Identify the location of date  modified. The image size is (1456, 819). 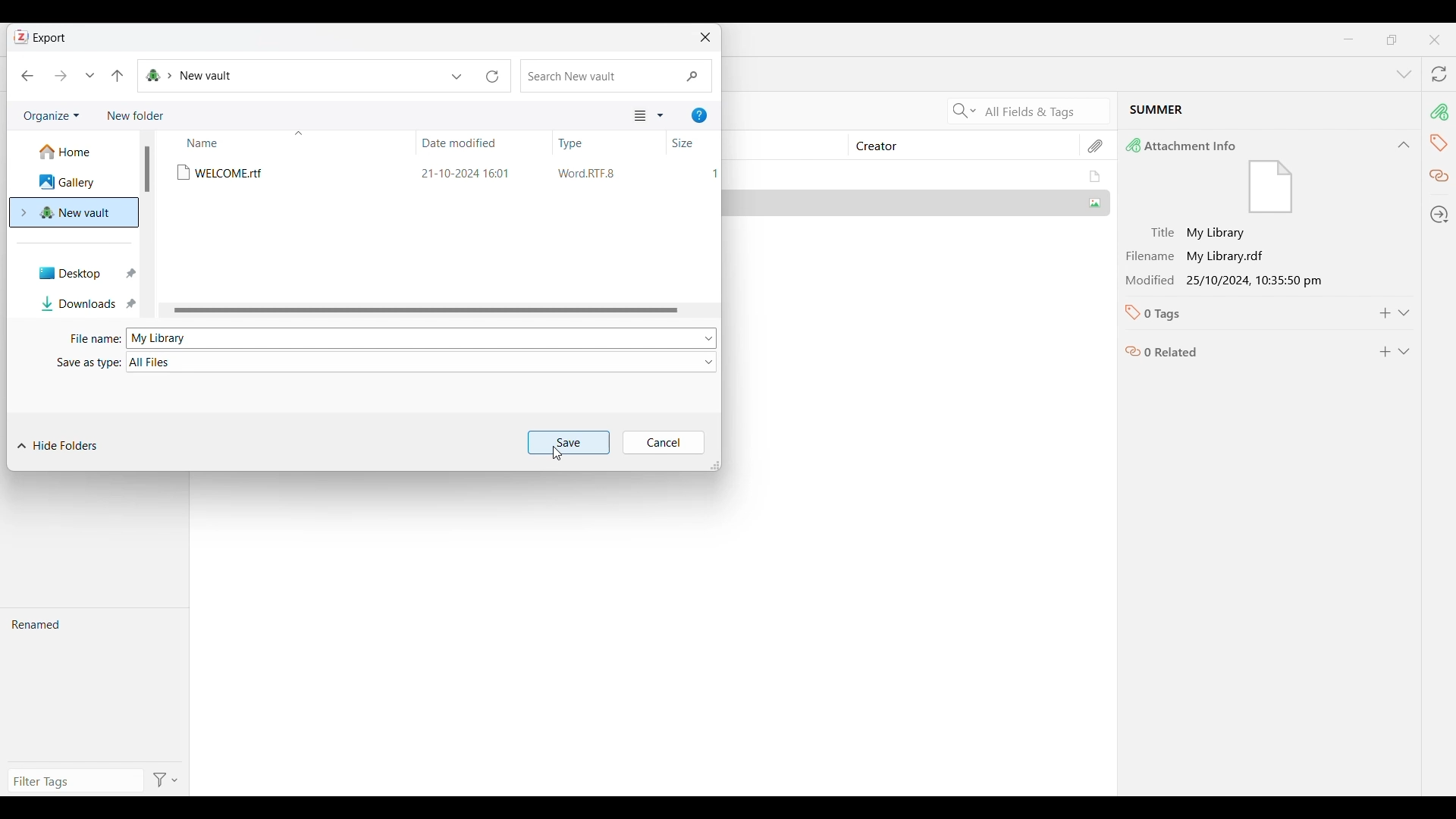
(453, 140).